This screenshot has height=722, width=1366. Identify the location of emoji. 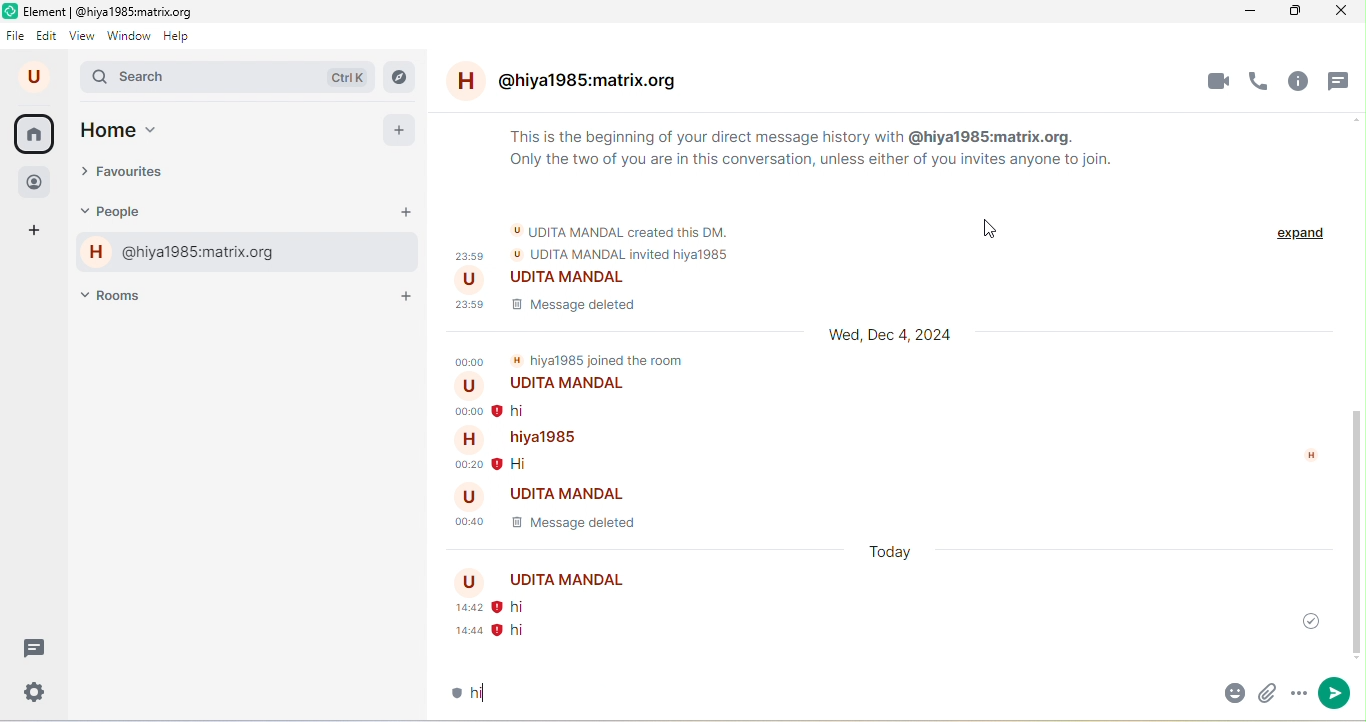
(1223, 693).